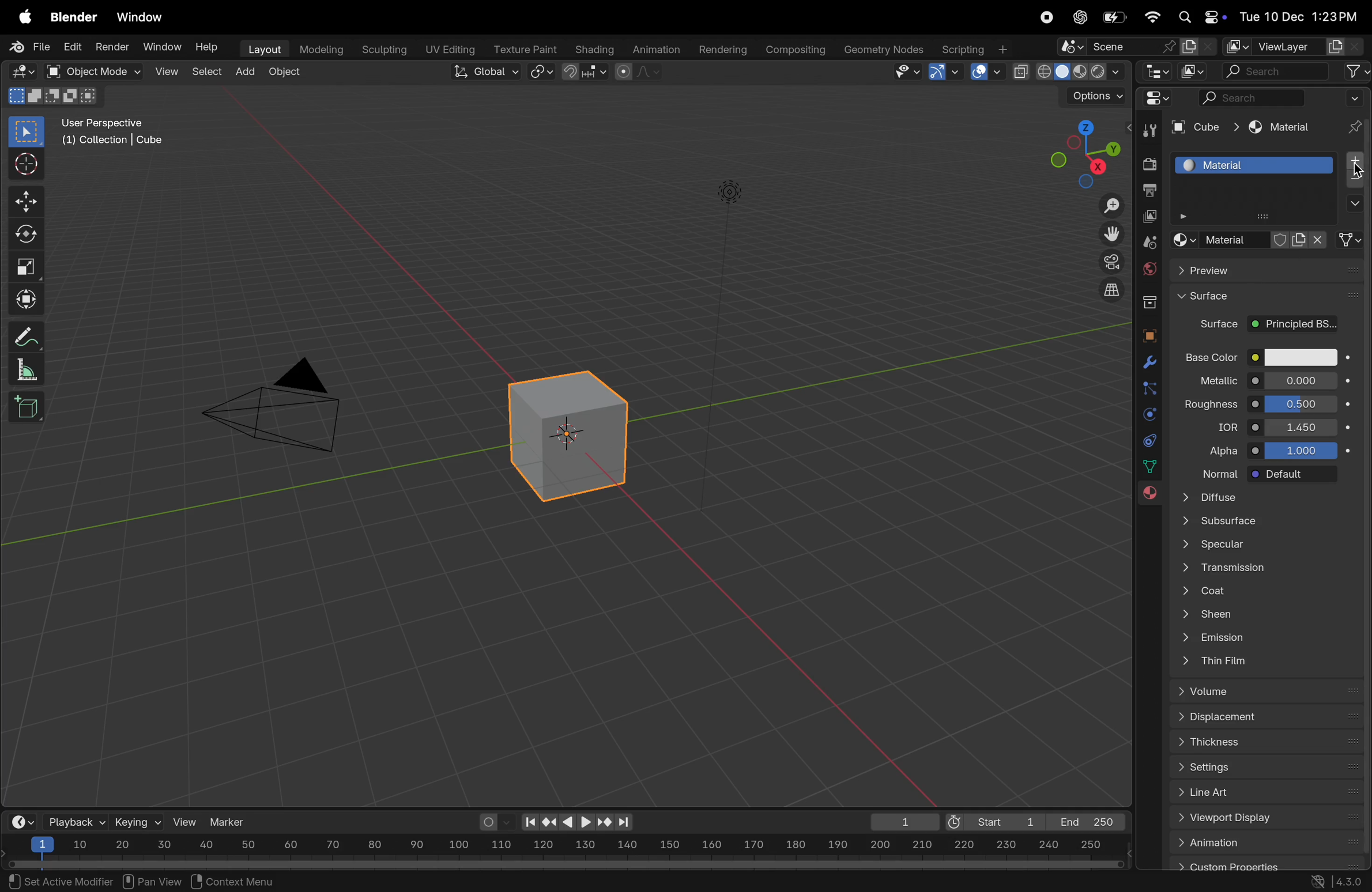 Image resolution: width=1372 pixels, height=892 pixels. I want to click on , so click(1265, 843).